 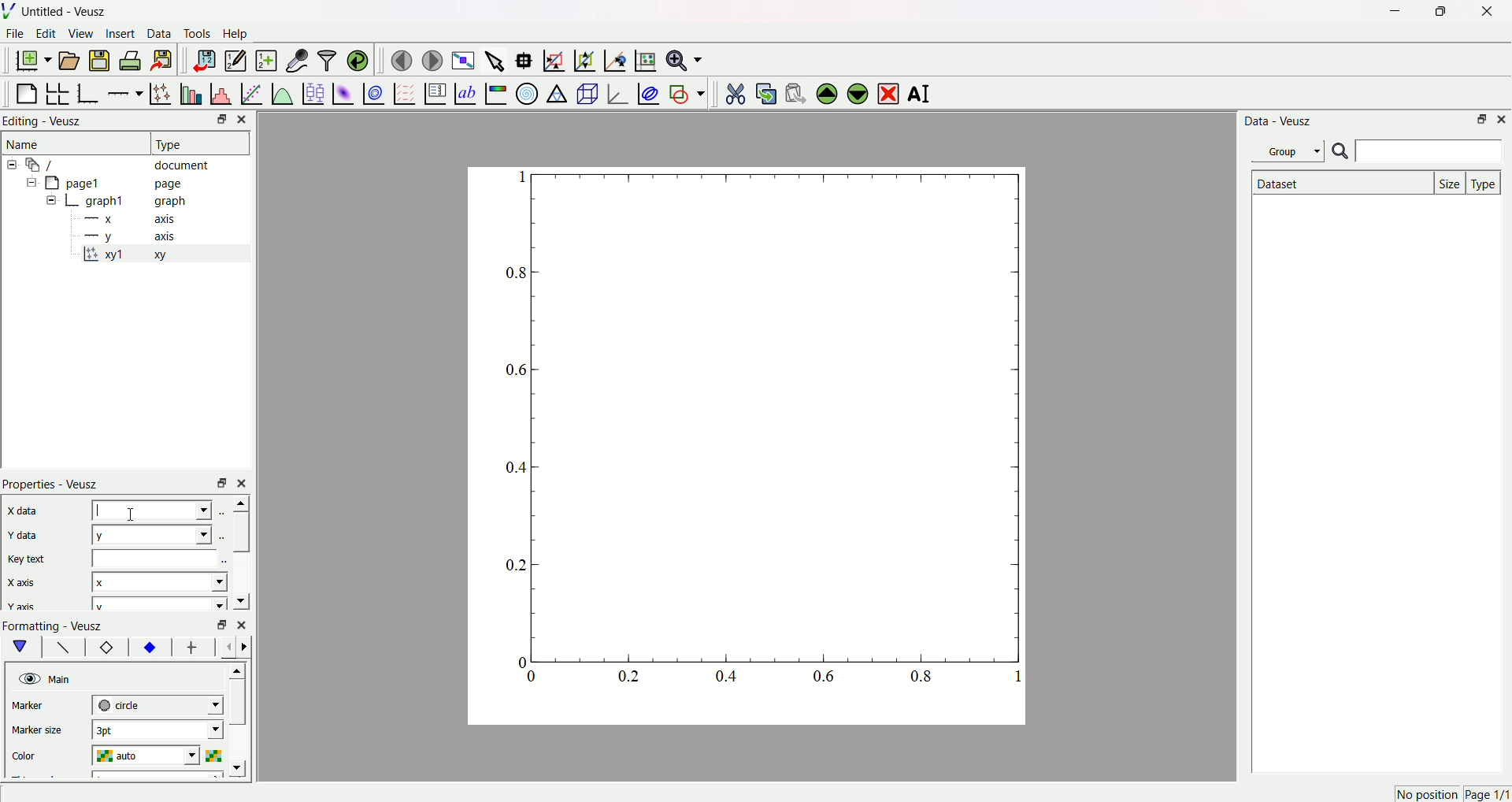 I want to click on “document, so click(x=125, y=164).